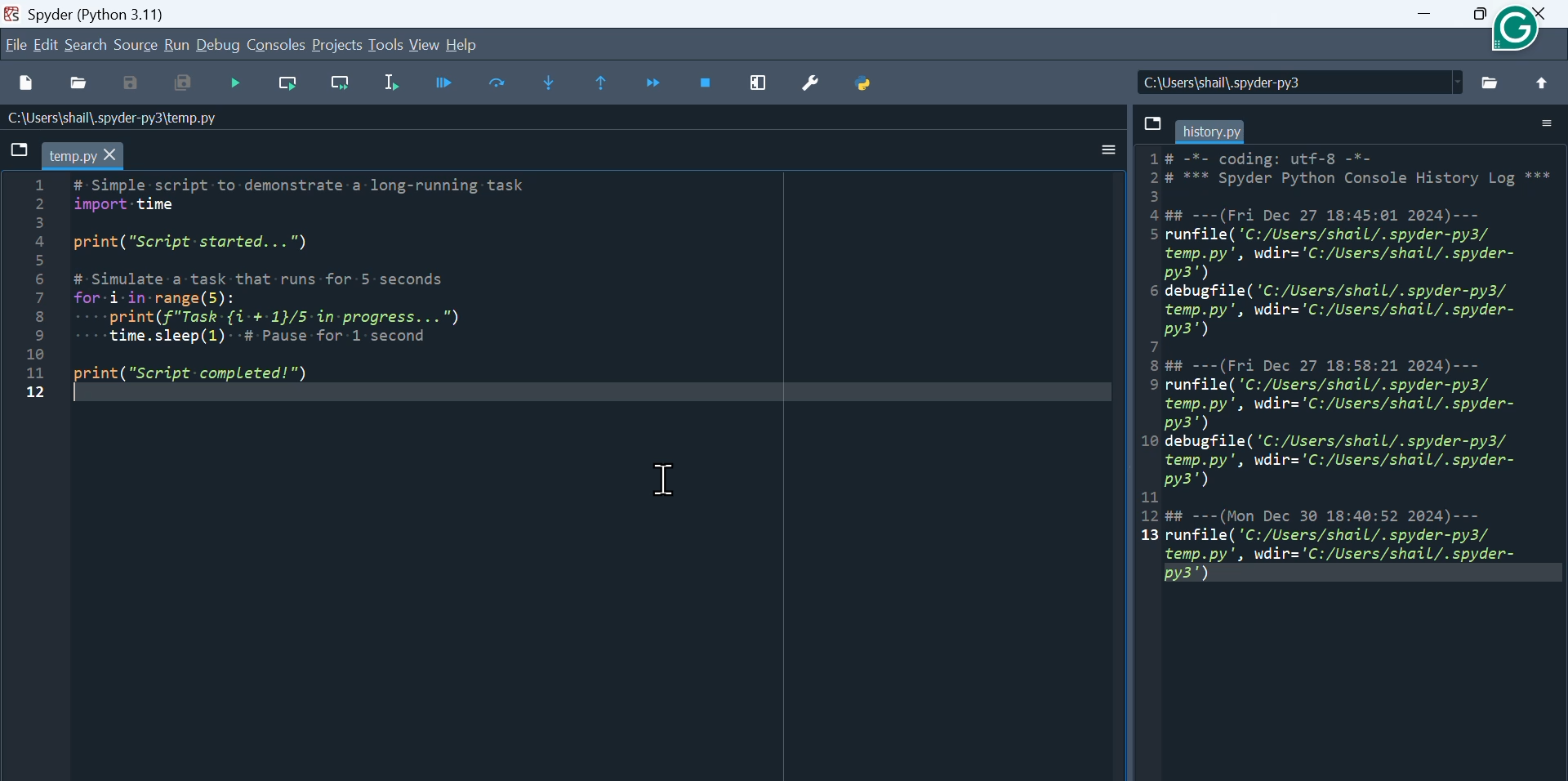  Describe the element at coordinates (470, 44) in the screenshot. I see `help` at that location.